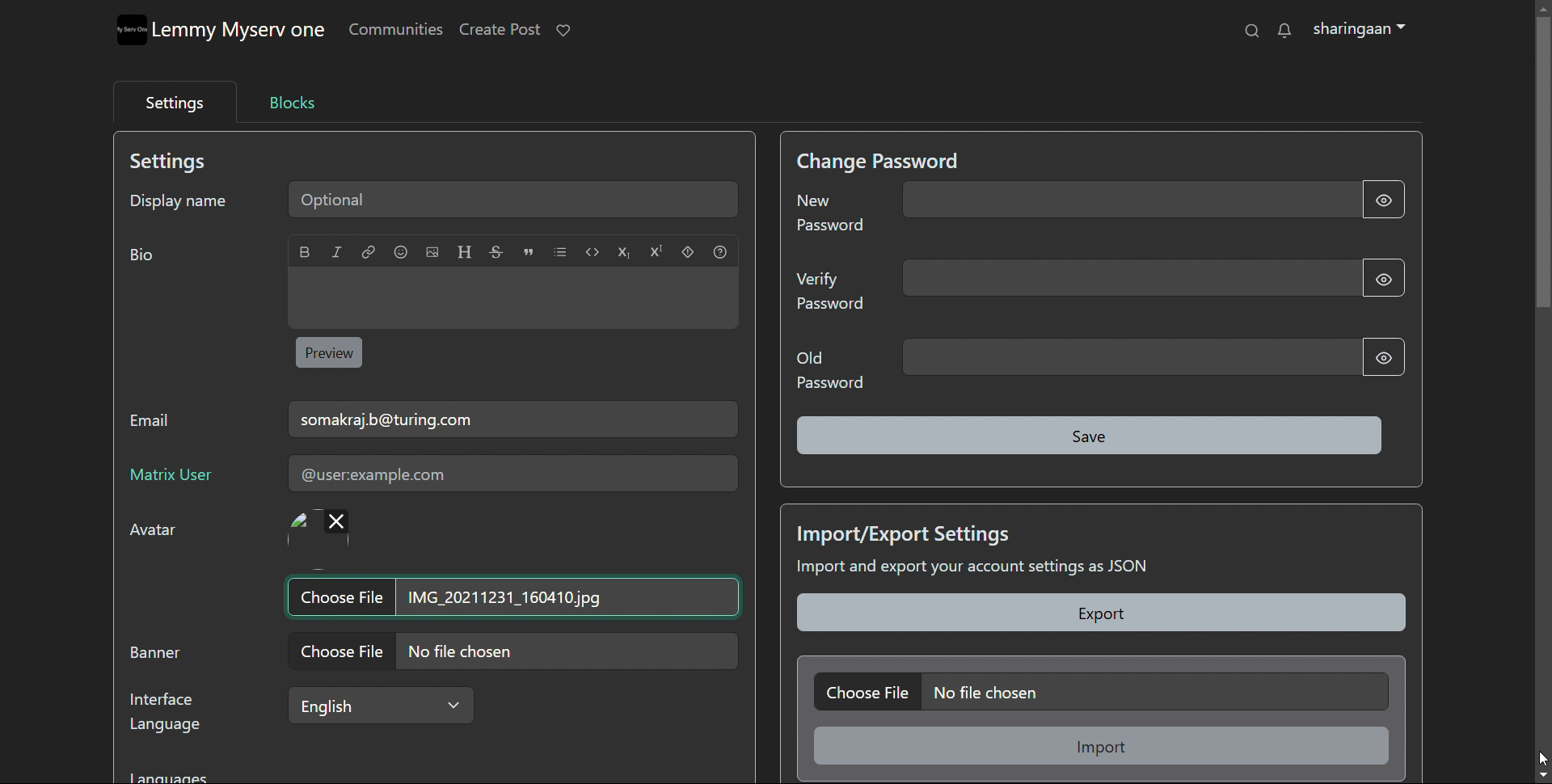 This screenshot has height=784, width=1552. What do you see at coordinates (133, 31) in the screenshot?
I see `logo` at bounding box center [133, 31].